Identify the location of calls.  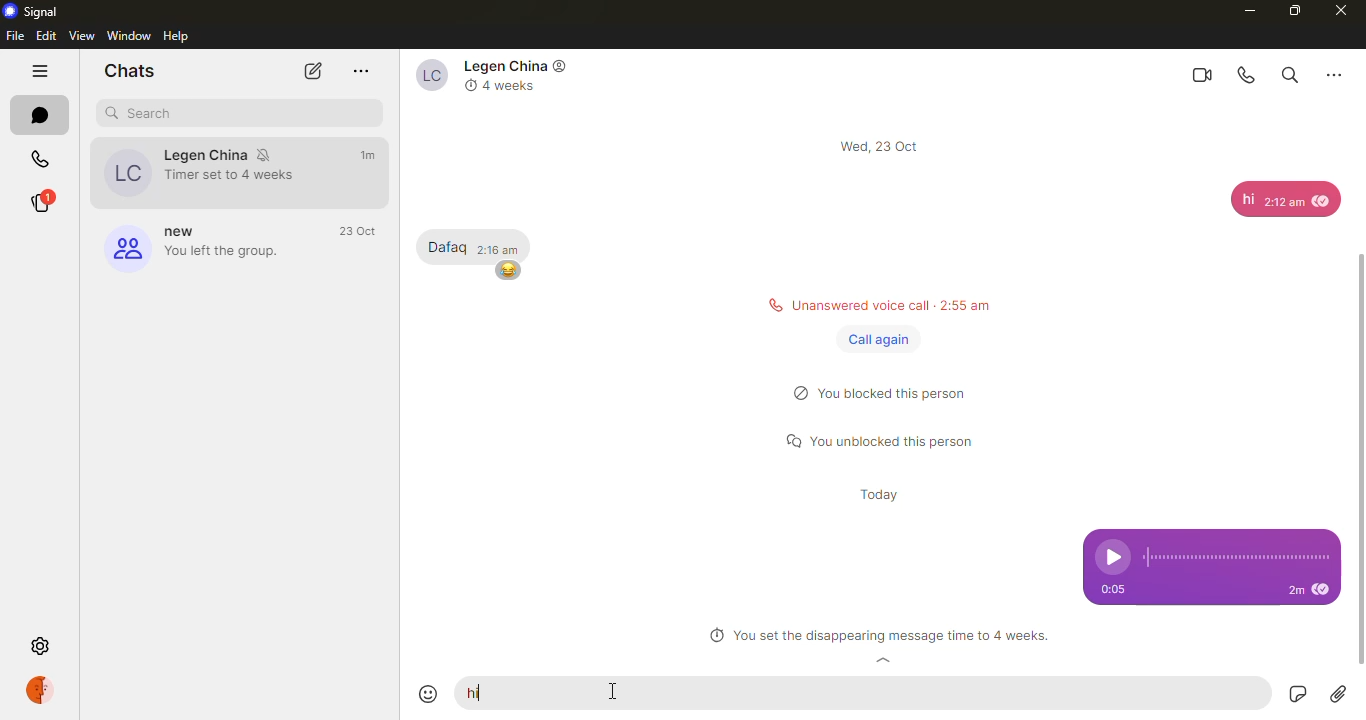
(40, 161).